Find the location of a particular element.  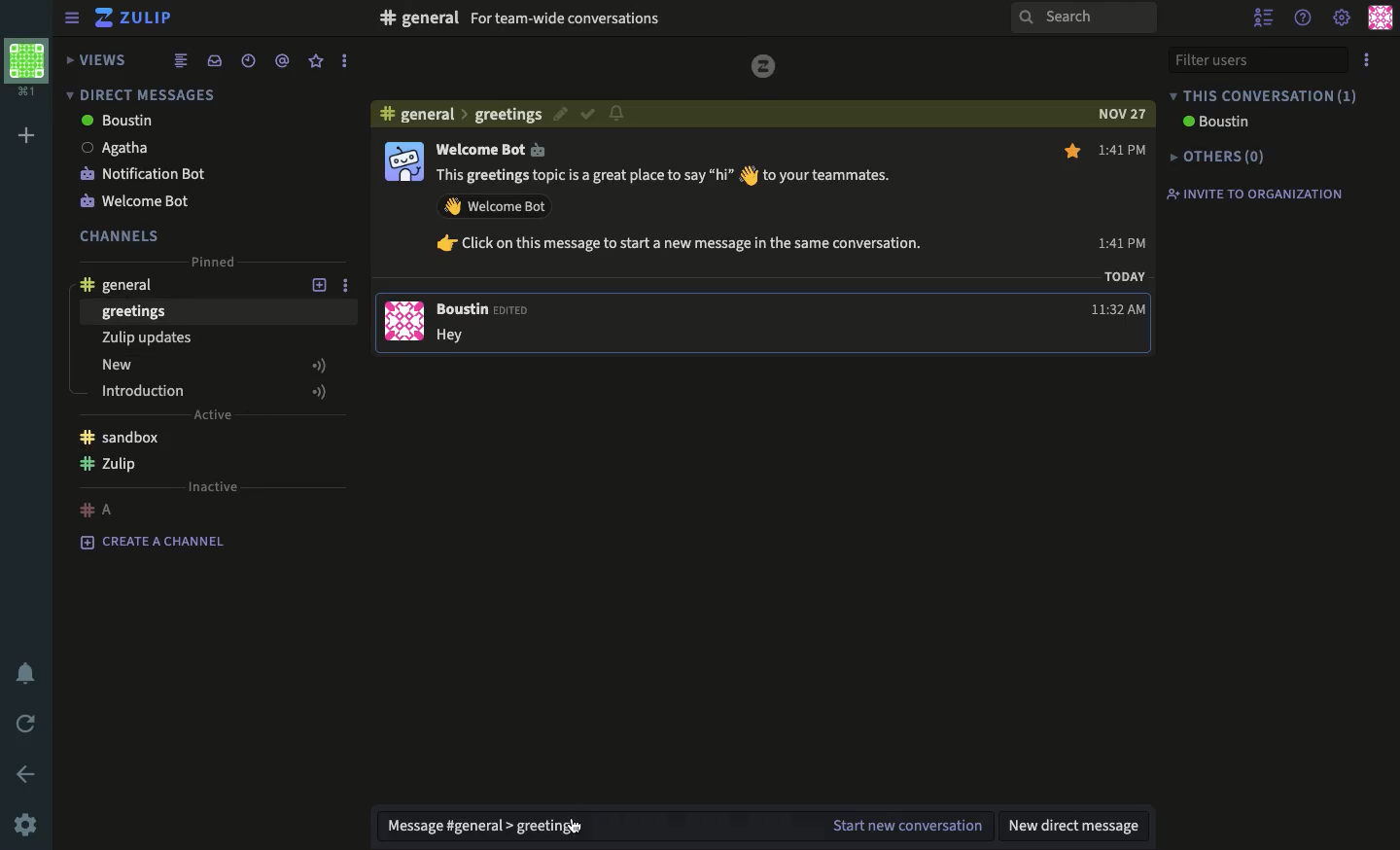

add workspace  is located at coordinates (28, 135).